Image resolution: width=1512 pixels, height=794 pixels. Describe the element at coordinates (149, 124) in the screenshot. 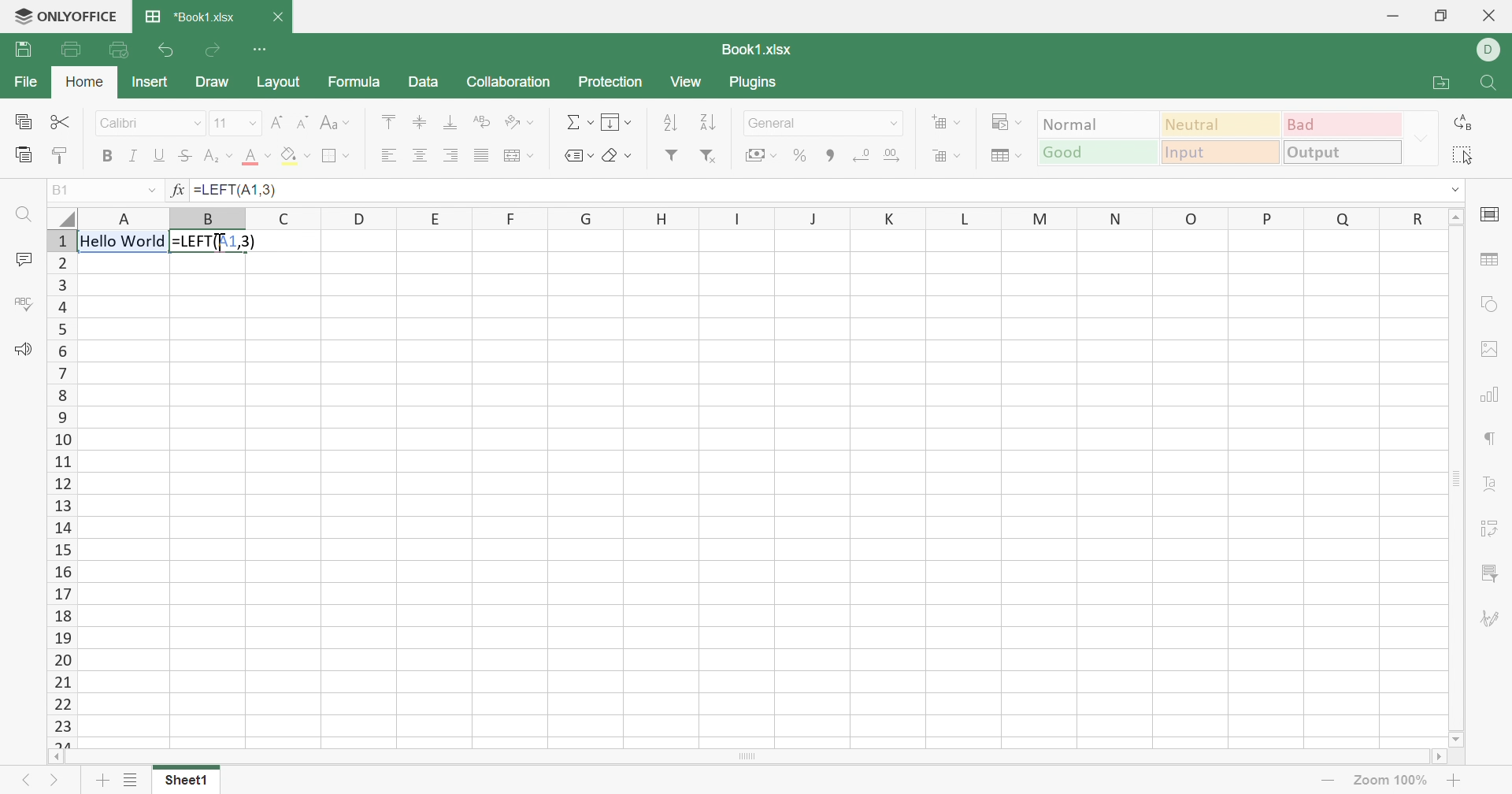

I see `Font` at that location.